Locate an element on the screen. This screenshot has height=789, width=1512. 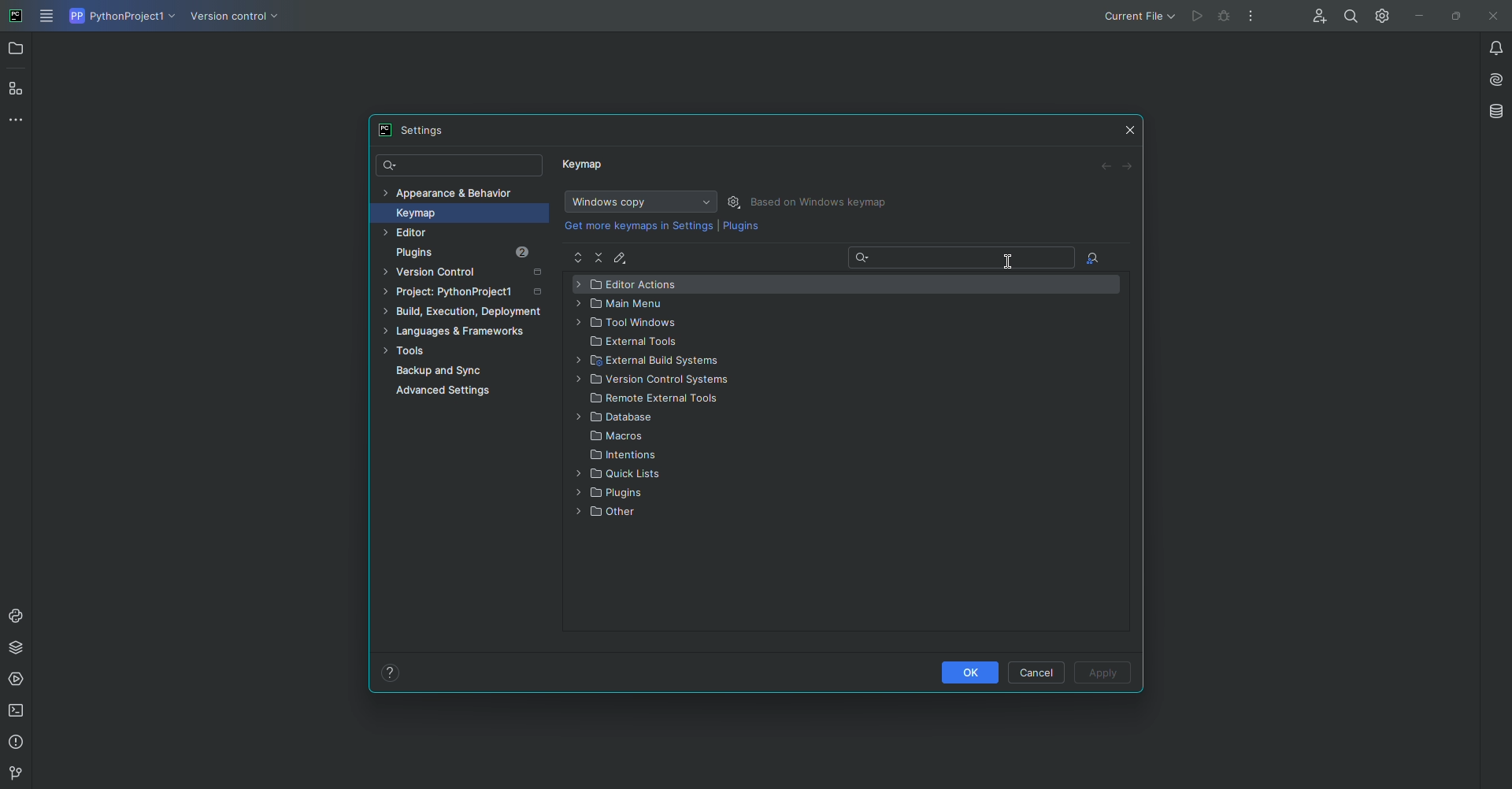
Intentions is located at coordinates (625, 457).